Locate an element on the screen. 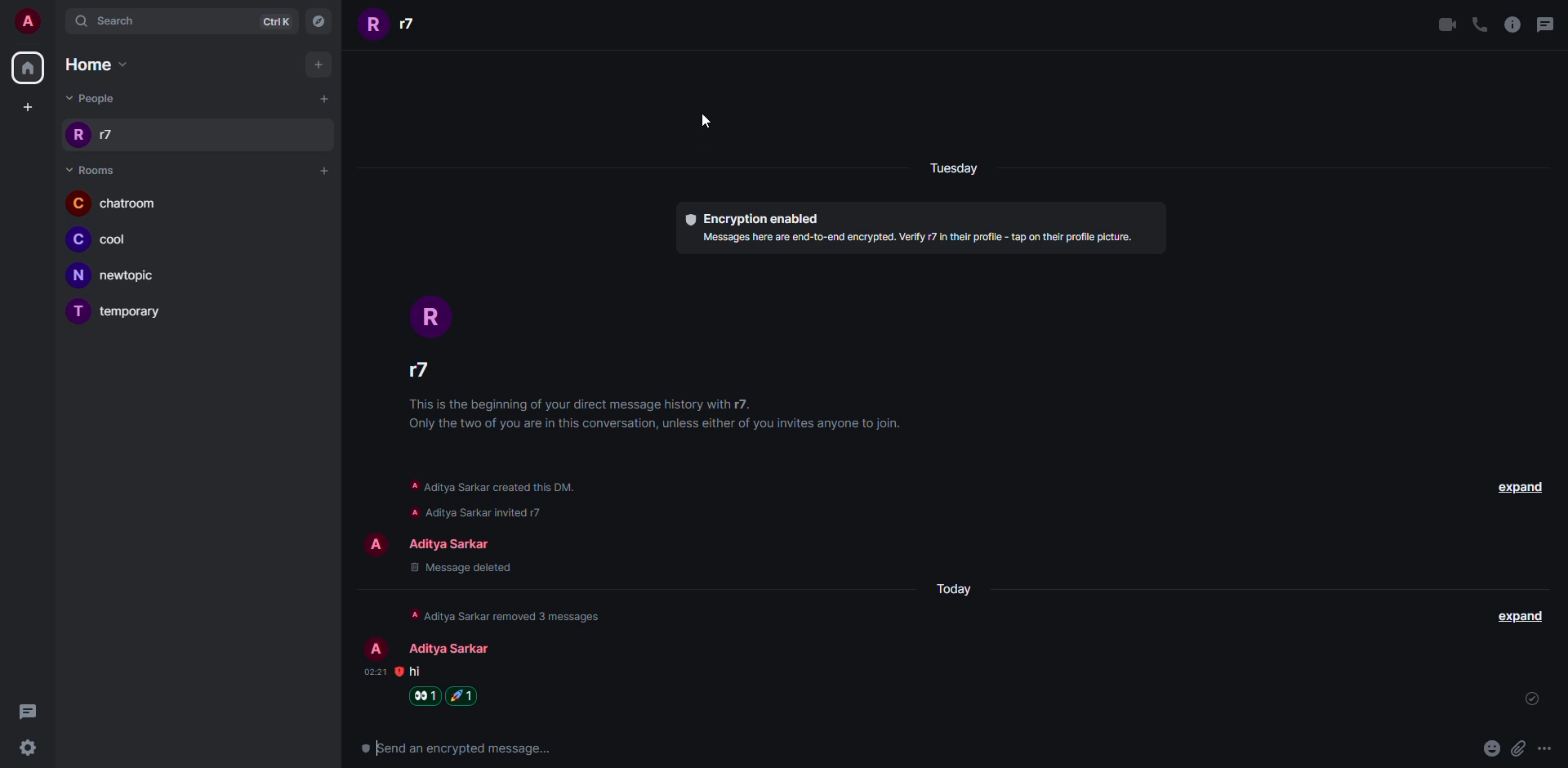  room is located at coordinates (109, 242).